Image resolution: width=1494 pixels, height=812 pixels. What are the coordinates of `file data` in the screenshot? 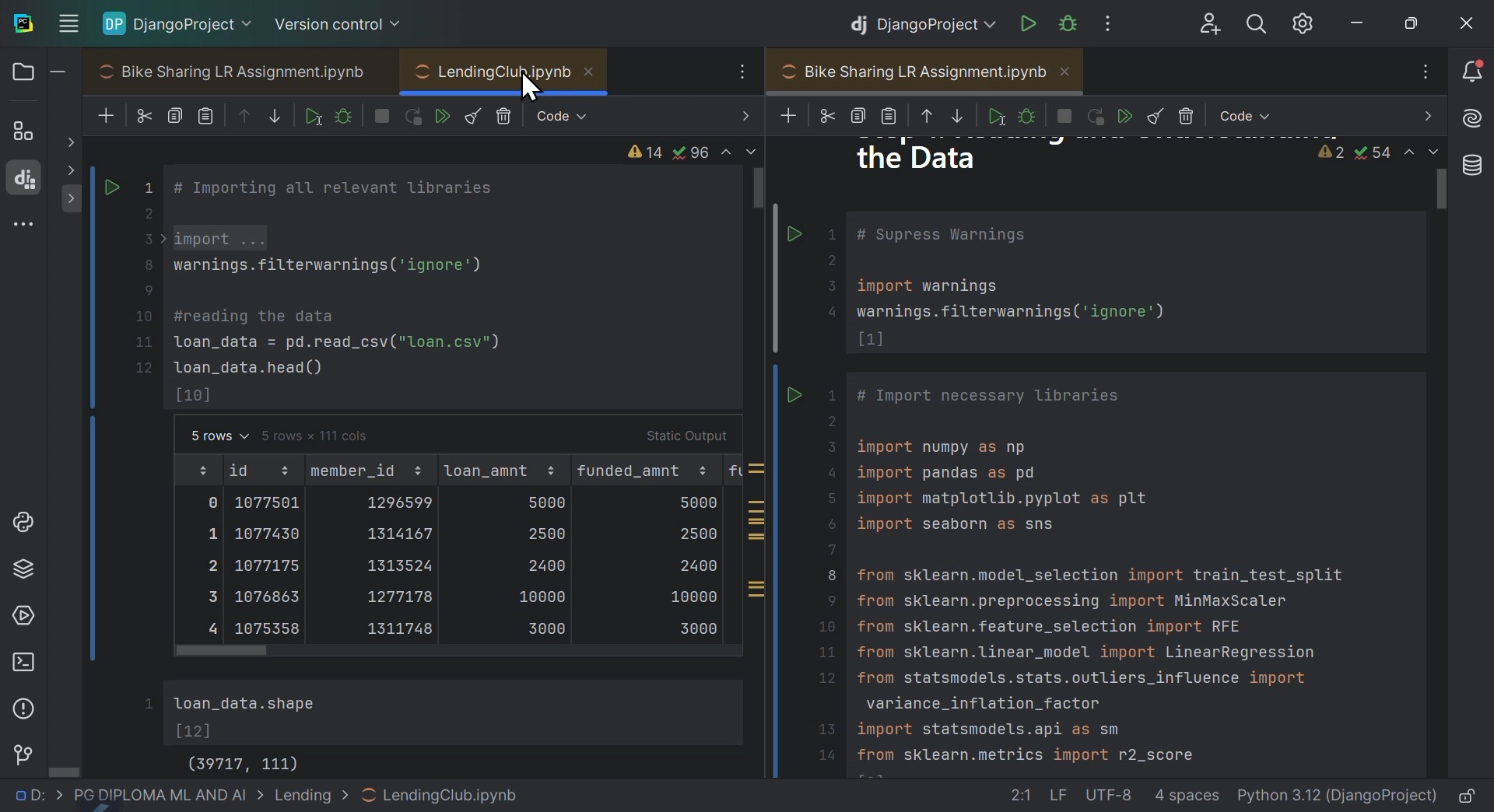 It's located at (1117, 796).